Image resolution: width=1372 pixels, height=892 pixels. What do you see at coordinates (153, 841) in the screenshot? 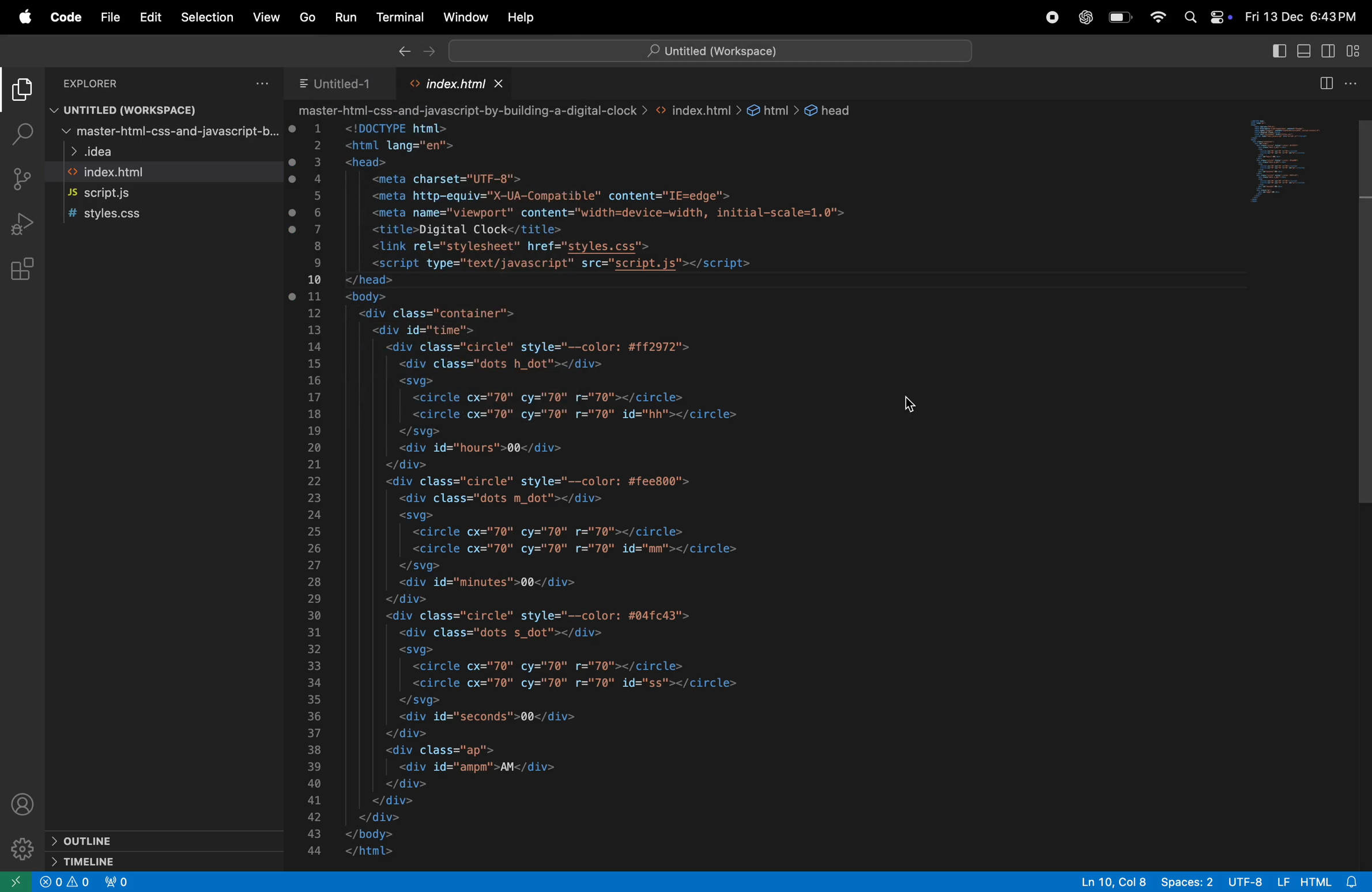
I see `outline` at bounding box center [153, 841].